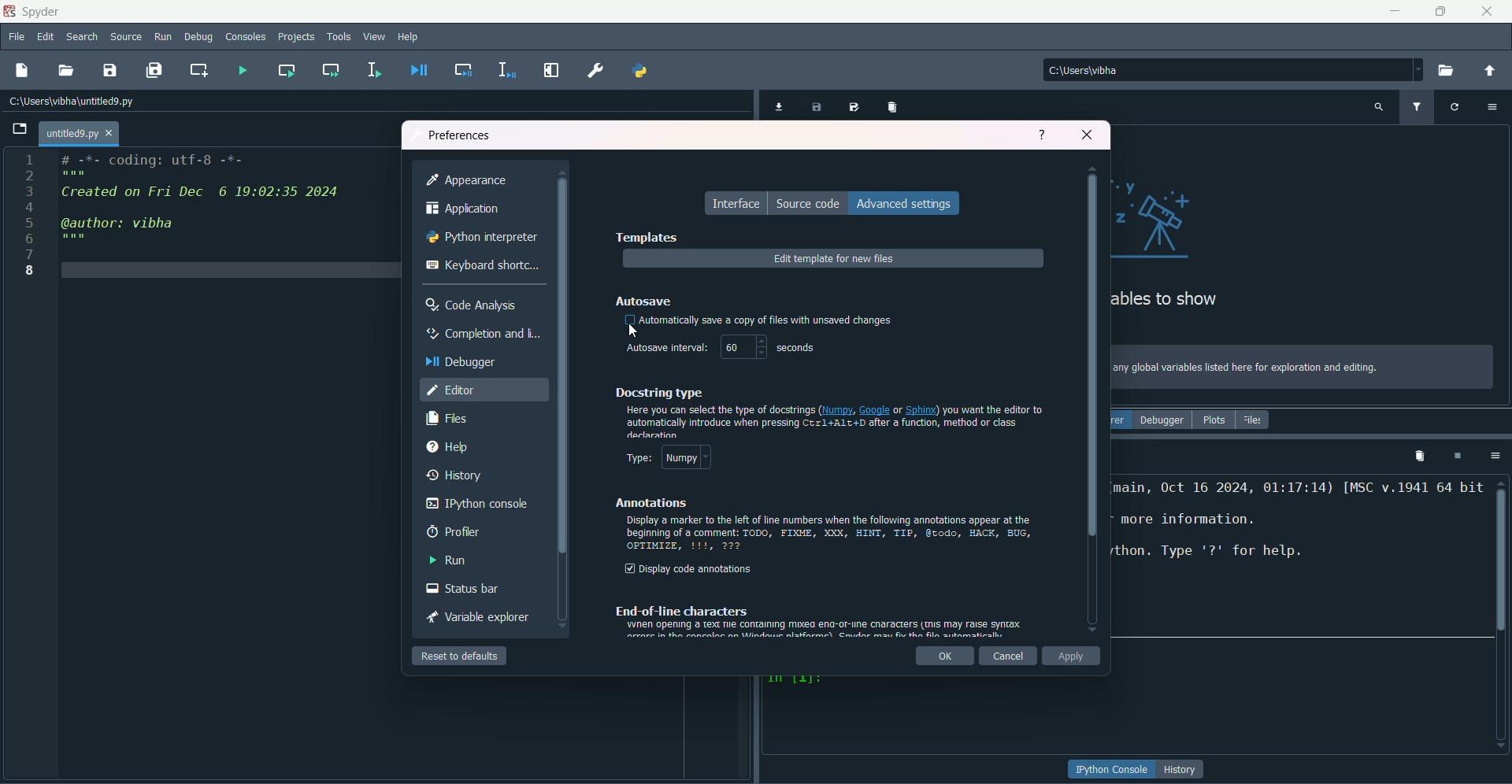 The width and height of the screenshot is (1512, 784). I want to click on save data as, so click(856, 108).